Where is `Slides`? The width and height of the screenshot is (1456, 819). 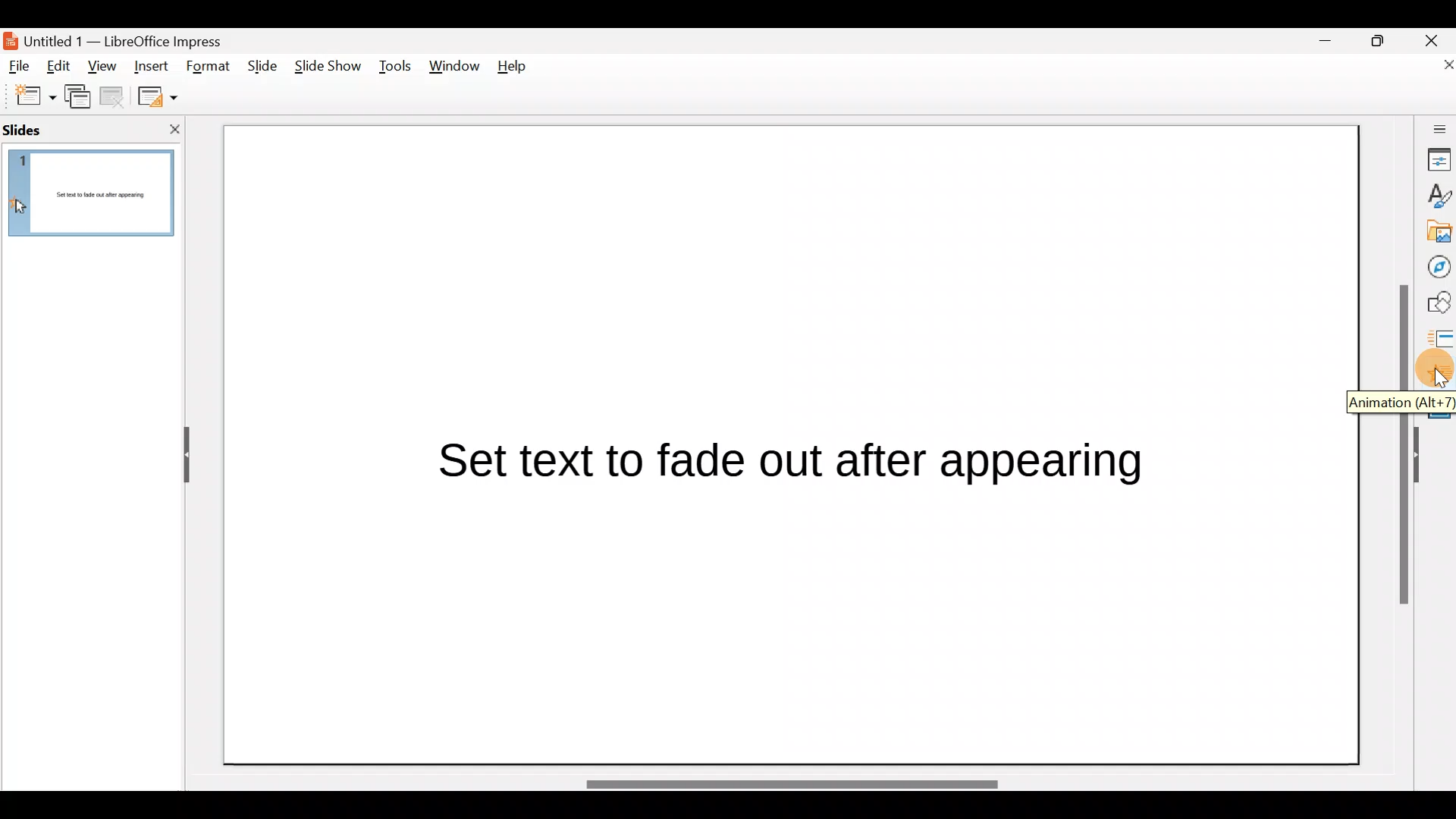 Slides is located at coordinates (49, 129).